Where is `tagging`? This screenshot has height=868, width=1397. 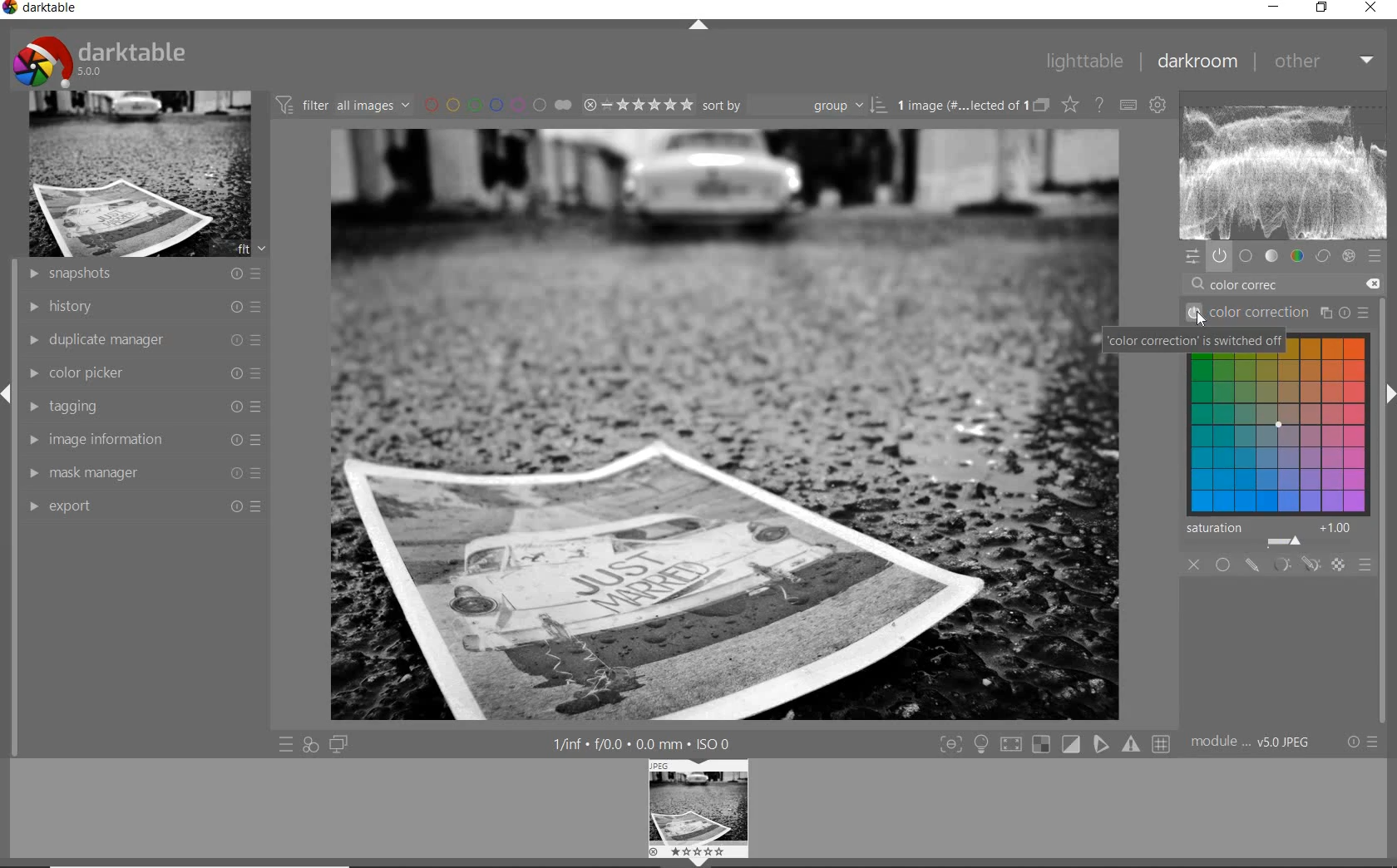 tagging is located at coordinates (142, 409).